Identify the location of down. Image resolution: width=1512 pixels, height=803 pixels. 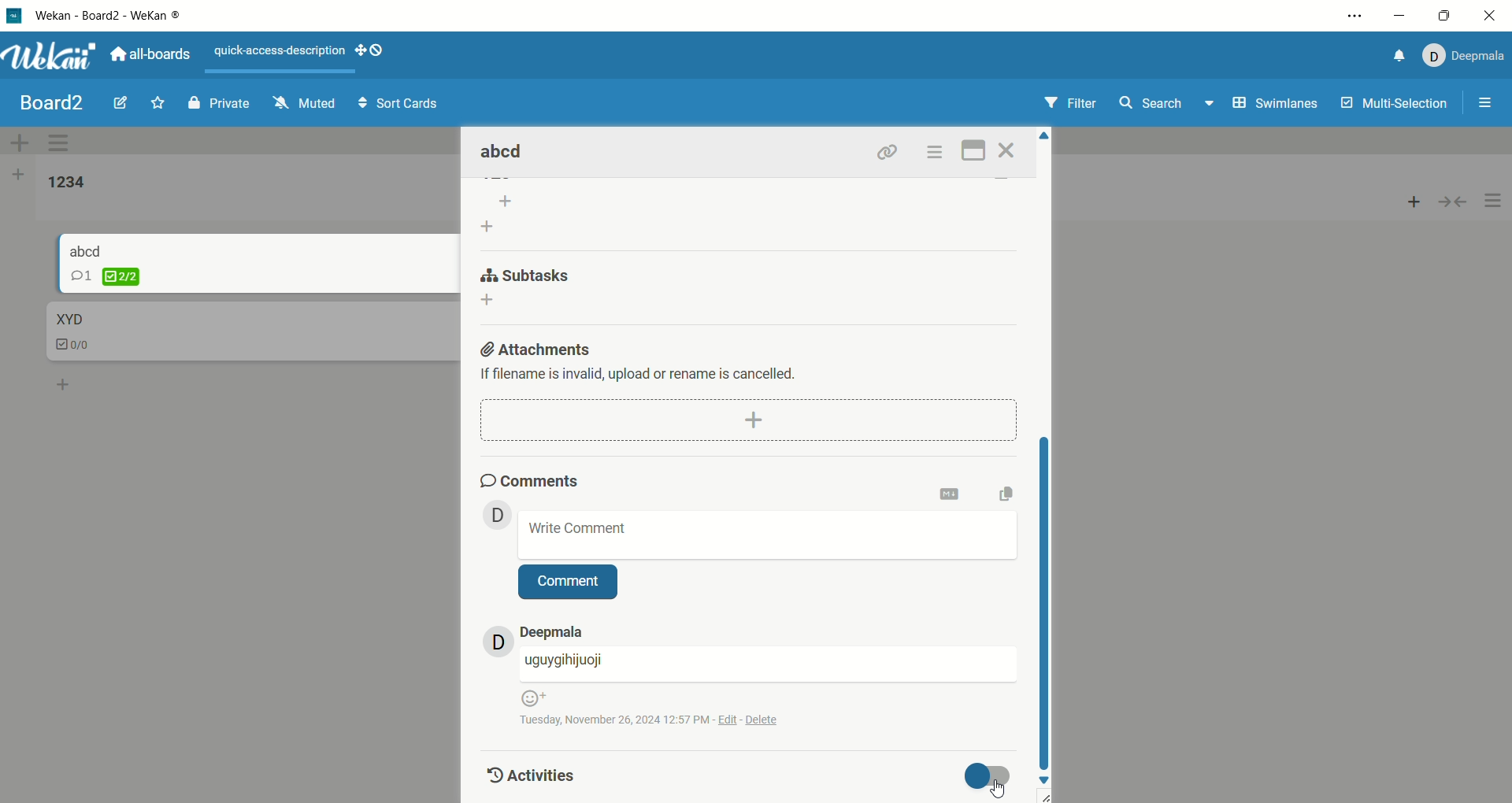
(1046, 781).